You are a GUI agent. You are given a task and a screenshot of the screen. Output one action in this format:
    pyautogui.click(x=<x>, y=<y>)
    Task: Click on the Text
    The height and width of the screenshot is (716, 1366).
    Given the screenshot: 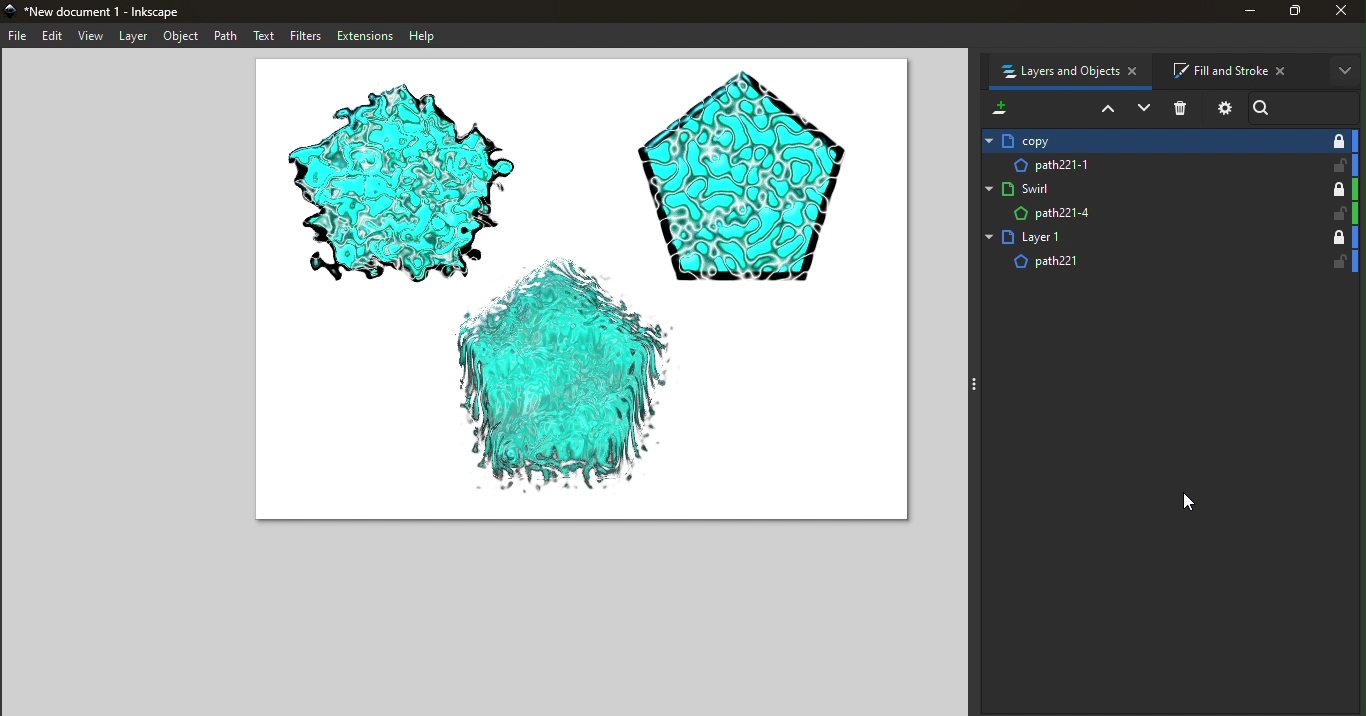 What is the action you would take?
    pyautogui.click(x=262, y=36)
    